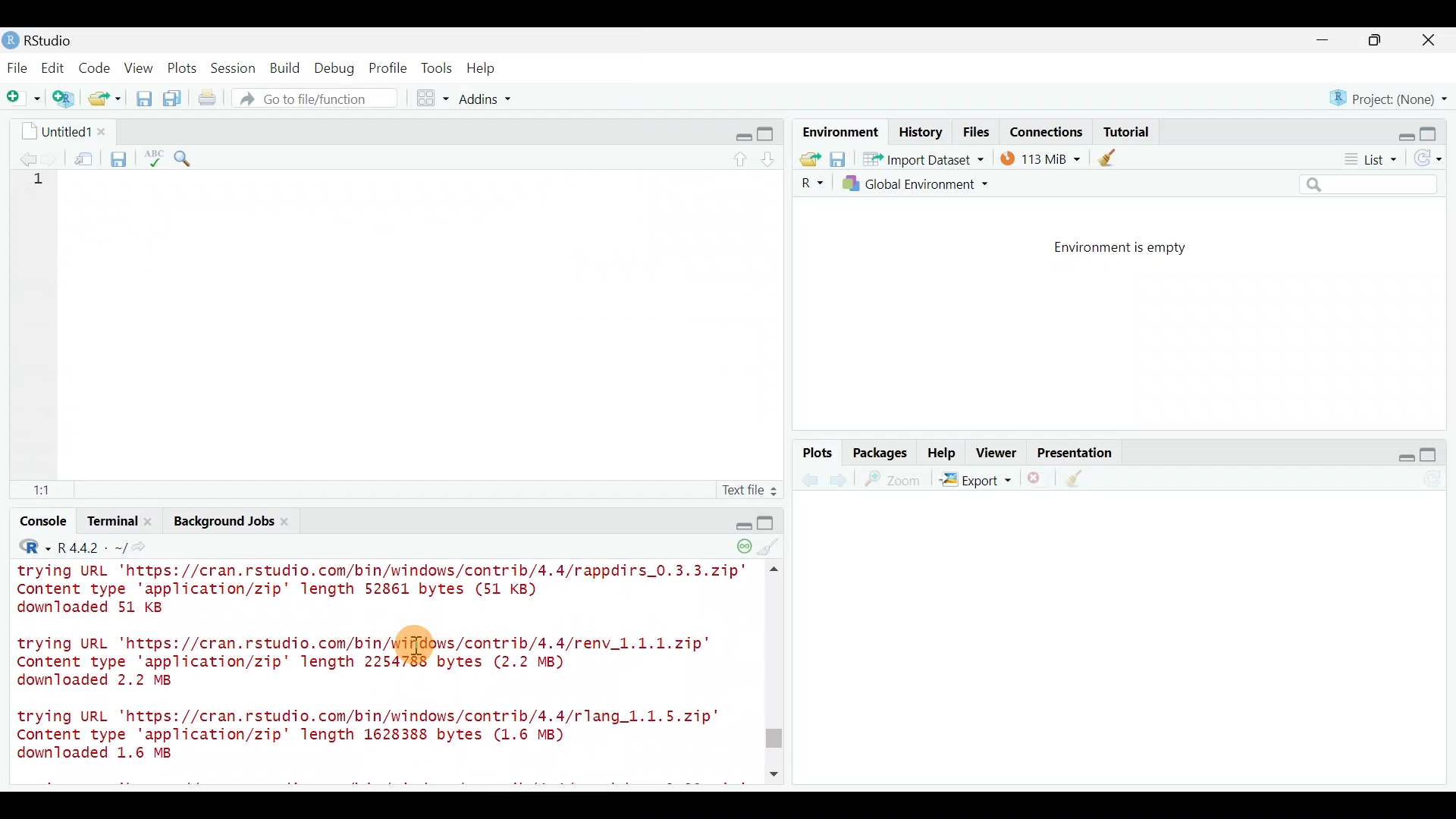 The height and width of the screenshot is (819, 1456). What do you see at coordinates (65, 99) in the screenshot?
I see `Create a project` at bounding box center [65, 99].